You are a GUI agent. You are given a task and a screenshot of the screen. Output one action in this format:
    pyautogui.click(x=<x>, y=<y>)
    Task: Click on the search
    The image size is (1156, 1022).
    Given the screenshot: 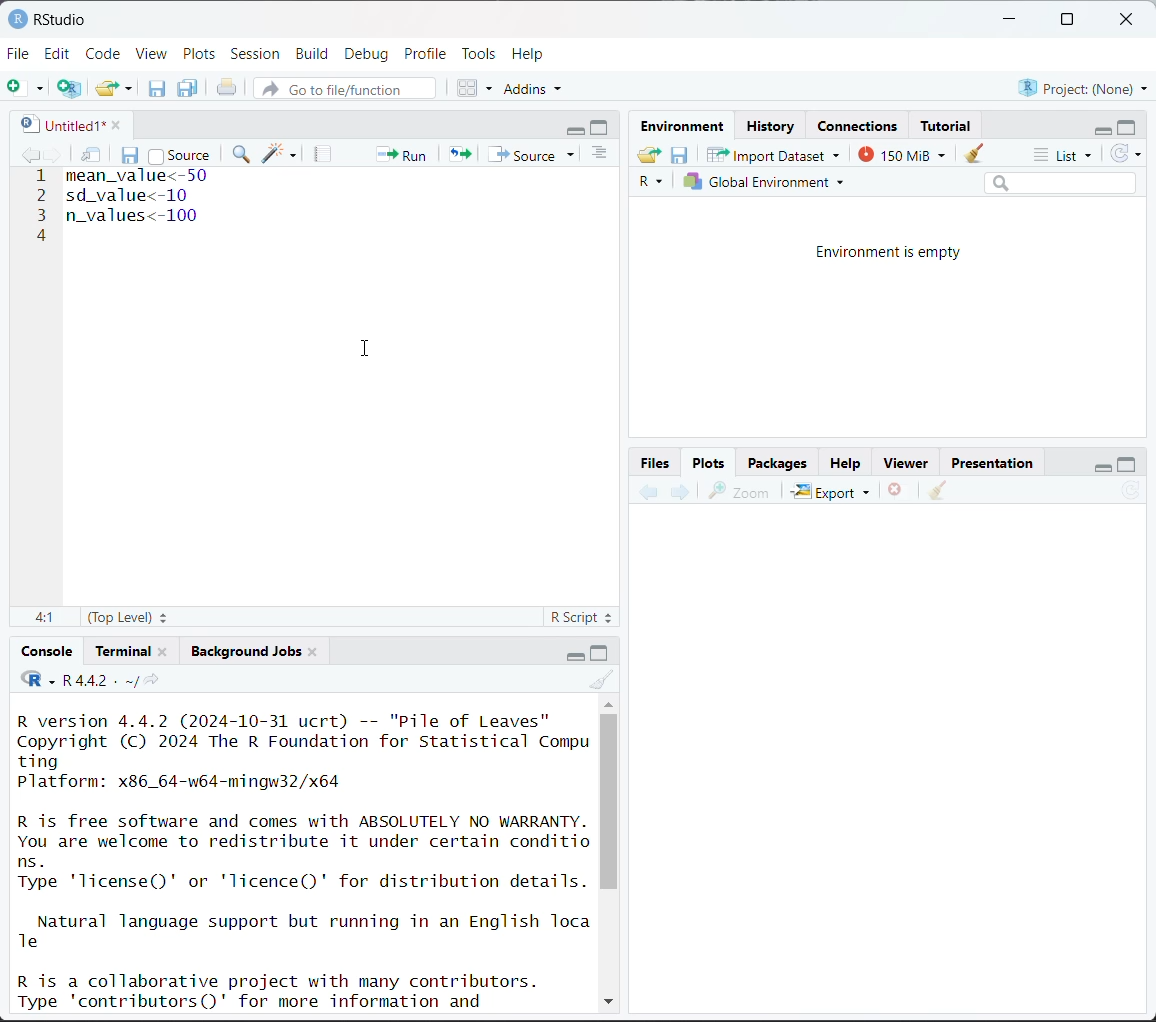 What is the action you would take?
    pyautogui.click(x=1060, y=182)
    